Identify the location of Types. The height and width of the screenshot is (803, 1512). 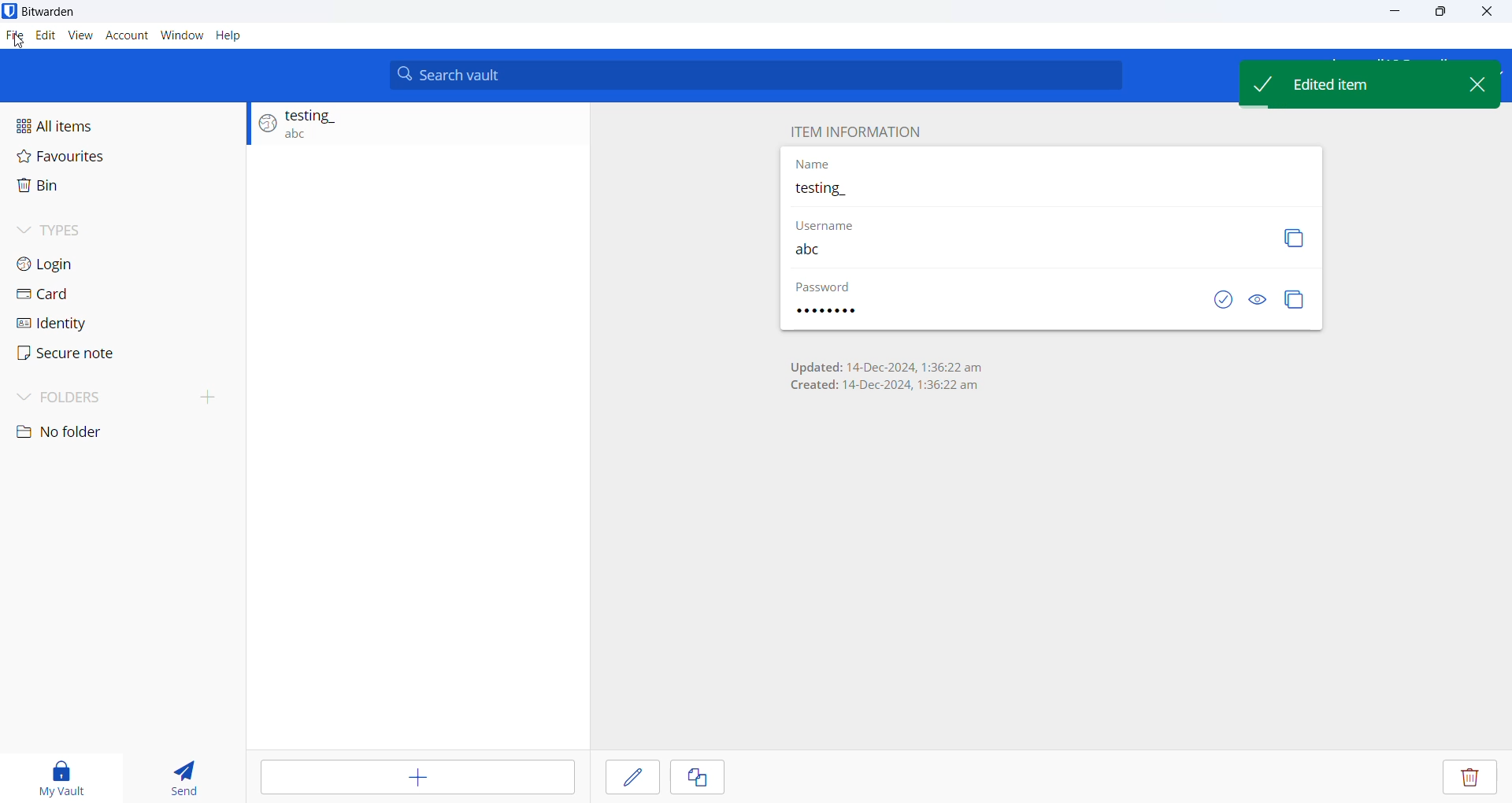
(116, 227).